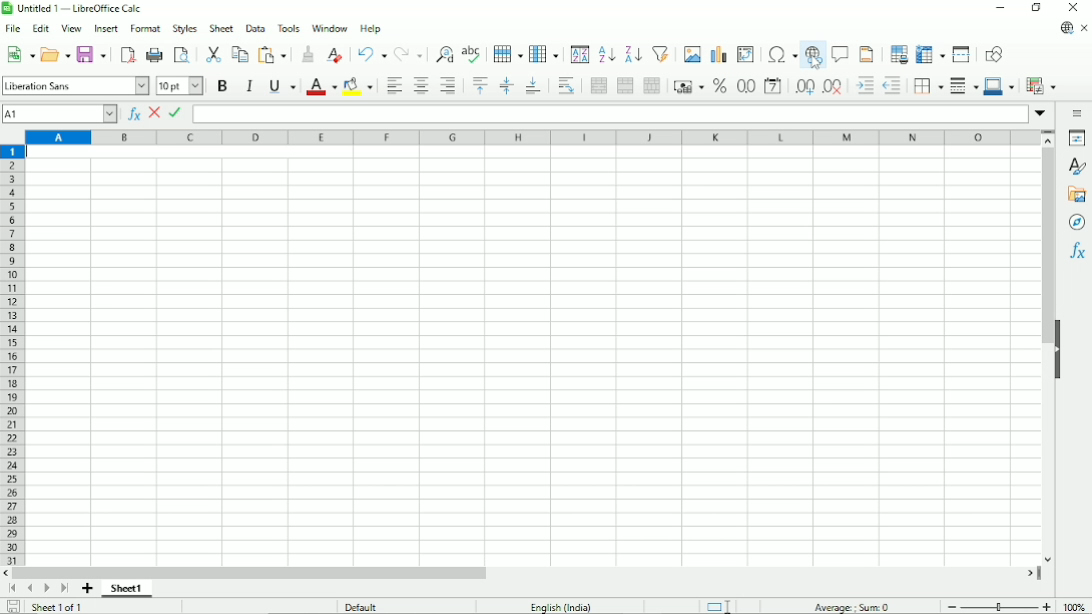 The image size is (1092, 614). What do you see at coordinates (410, 55) in the screenshot?
I see `Redo` at bounding box center [410, 55].